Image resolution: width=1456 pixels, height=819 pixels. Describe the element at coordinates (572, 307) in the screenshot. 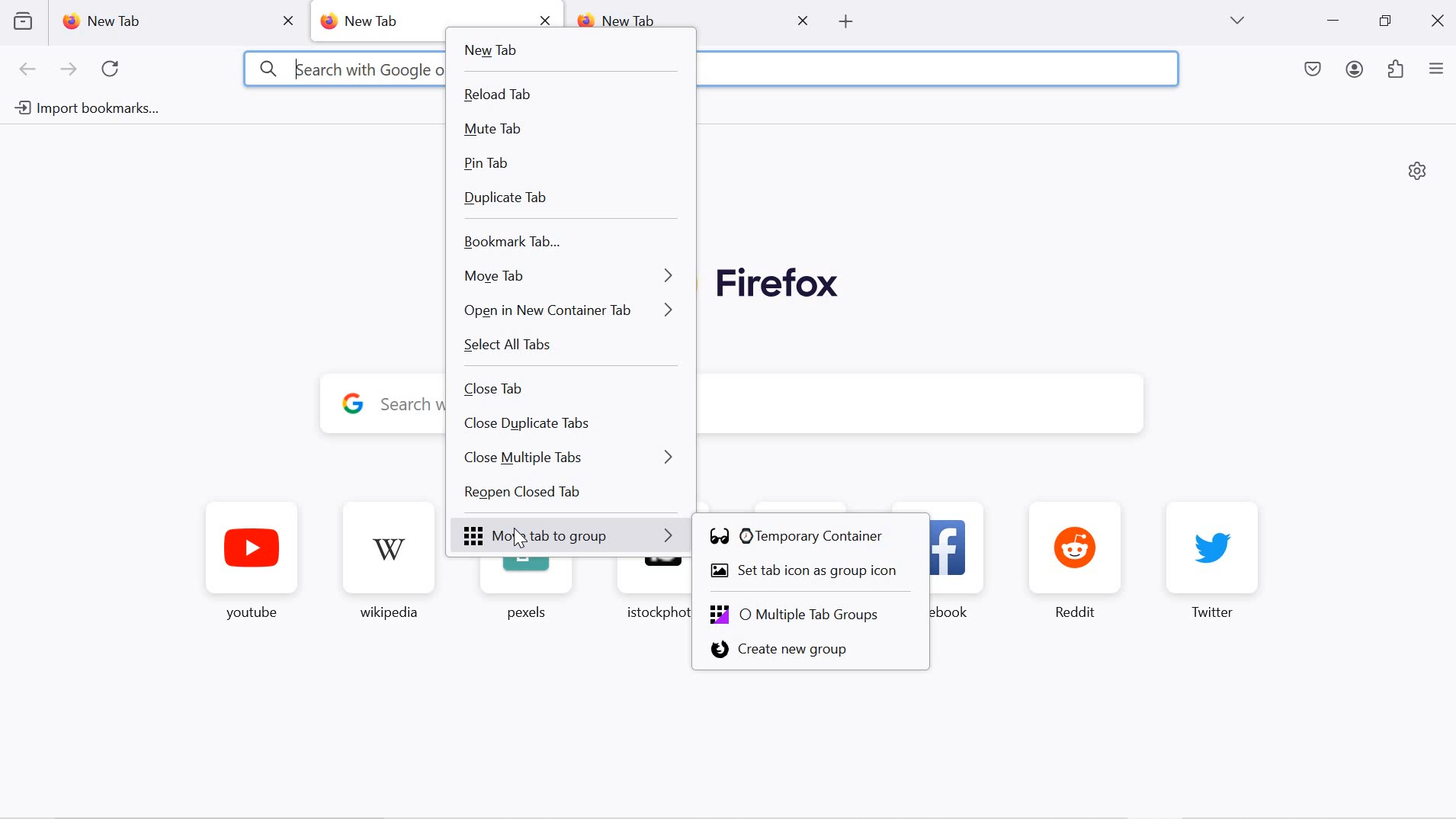

I see `open in new container tab` at that location.